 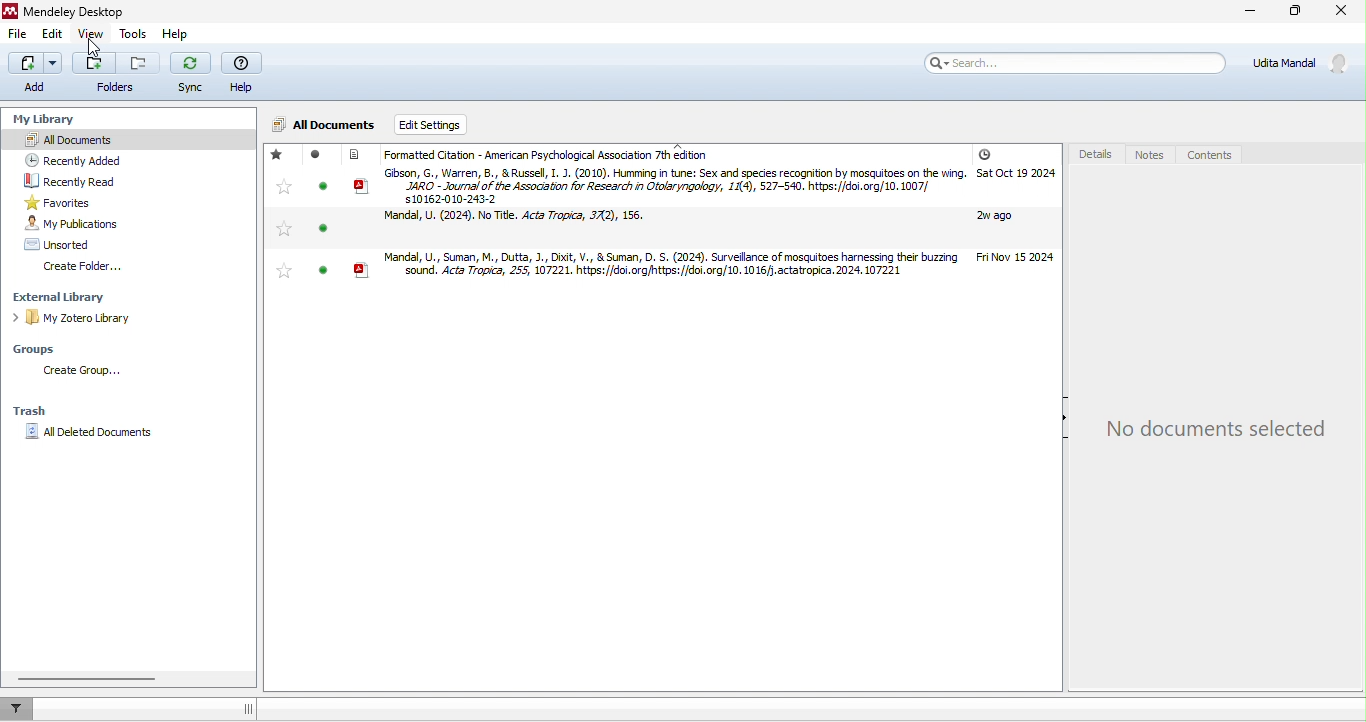 What do you see at coordinates (325, 127) in the screenshot?
I see `all document` at bounding box center [325, 127].